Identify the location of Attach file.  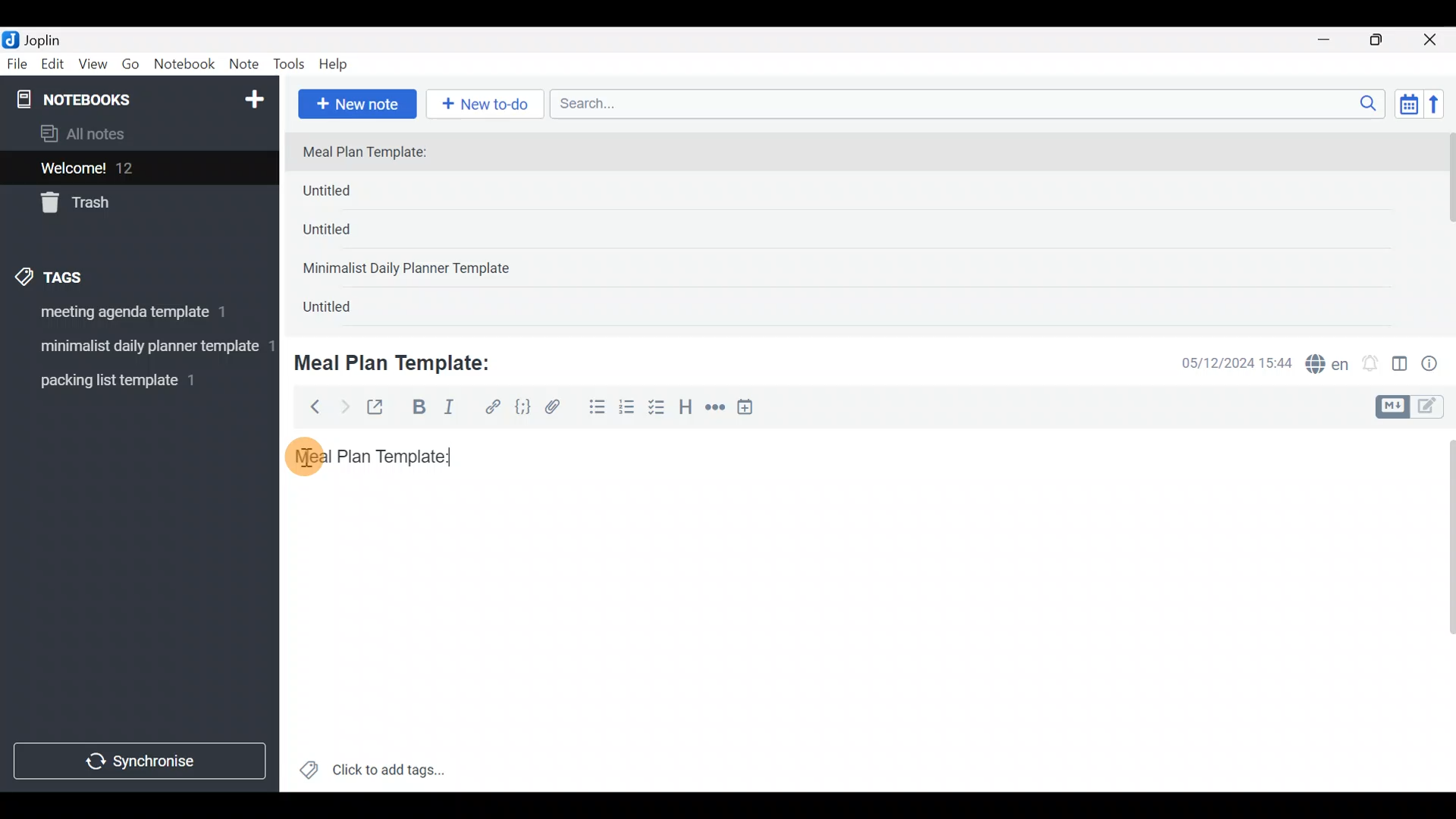
(557, 409).